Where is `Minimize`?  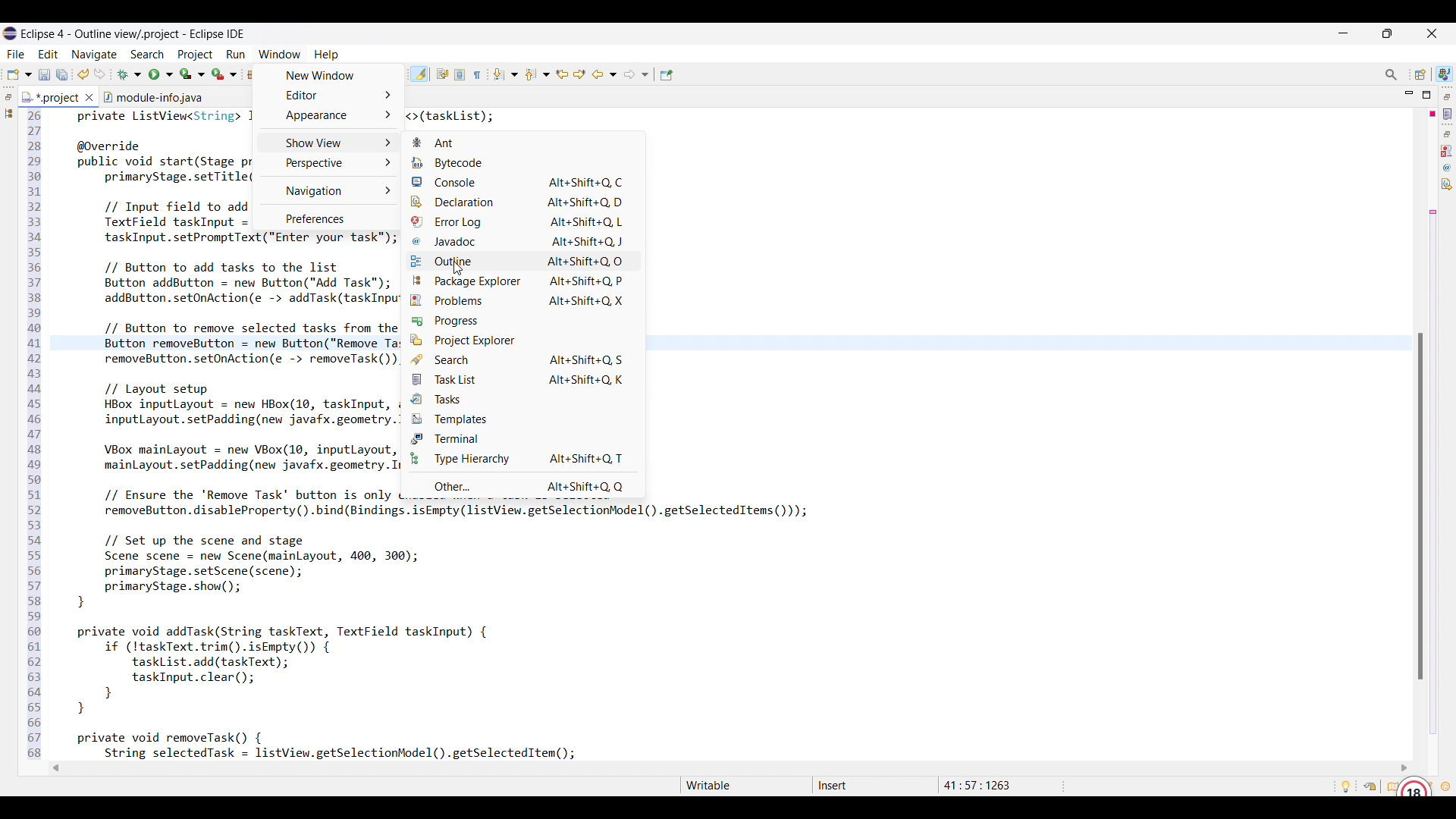
Minimize is located at coordinates (1410, 94).